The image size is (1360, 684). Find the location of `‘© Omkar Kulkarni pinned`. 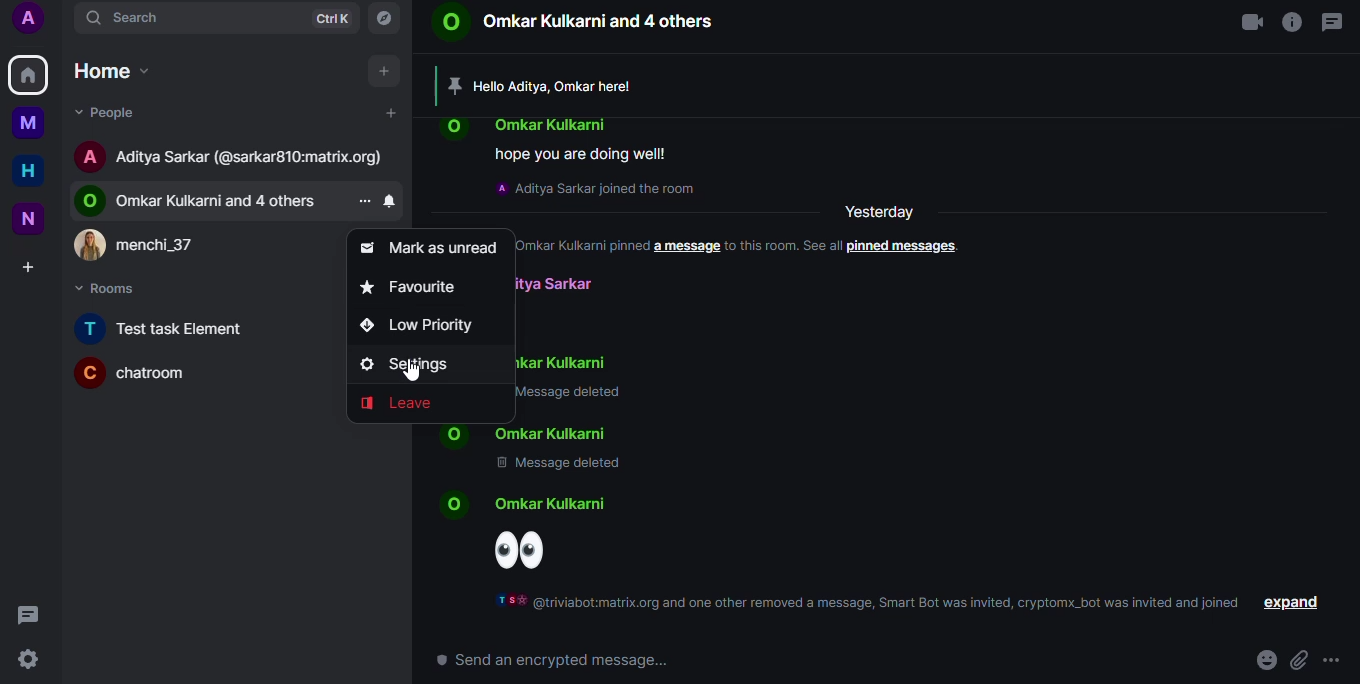

‘© Omkar Kulkarni pinned is located at coordinates (584, 246).